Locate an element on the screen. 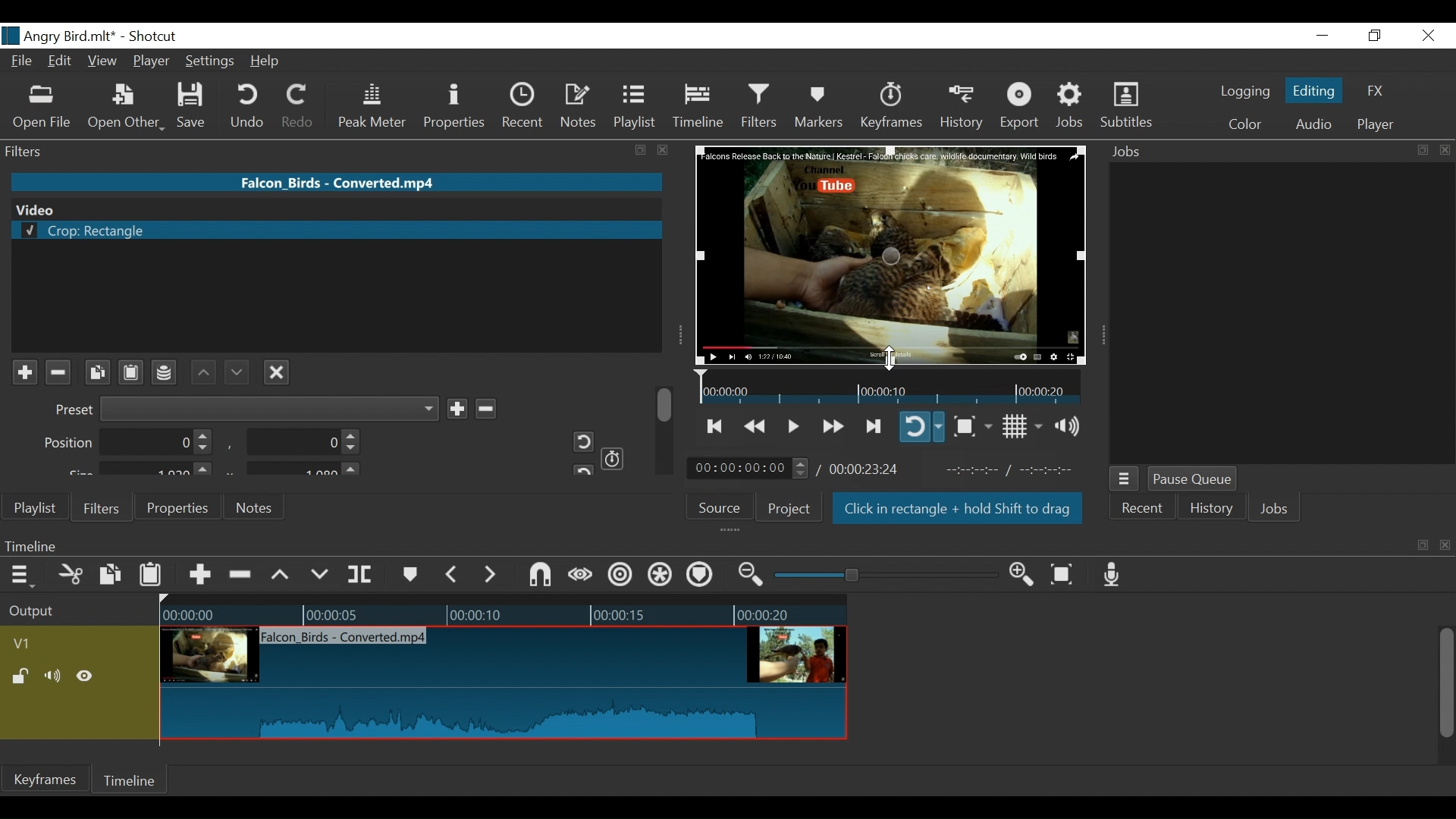 Image resolution: width=1456 pixels, height=819 pixels. Redo is located at coordinates (299, 106).